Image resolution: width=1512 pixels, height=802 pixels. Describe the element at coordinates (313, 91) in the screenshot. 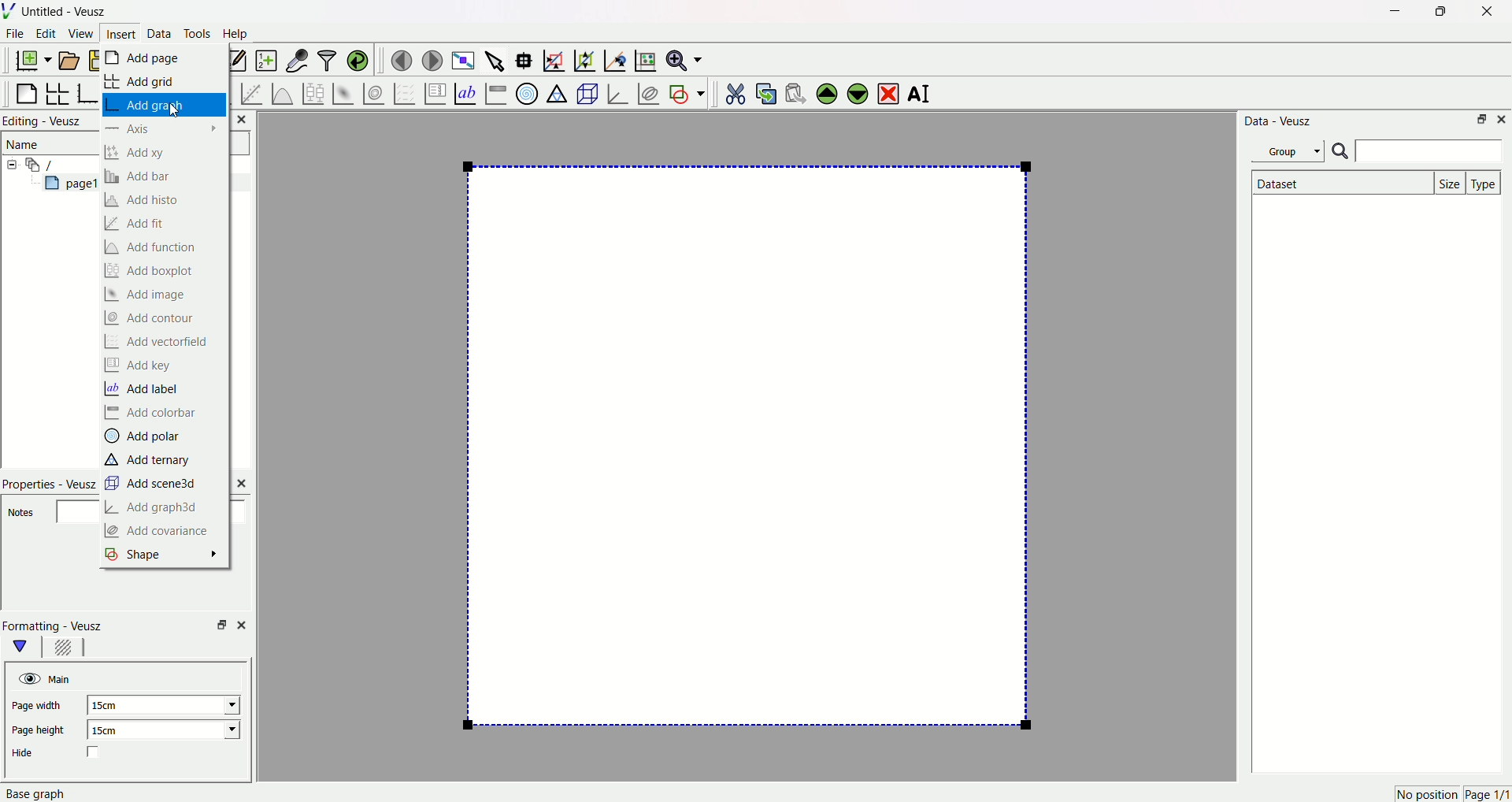

I see `plot box plots` at that location.